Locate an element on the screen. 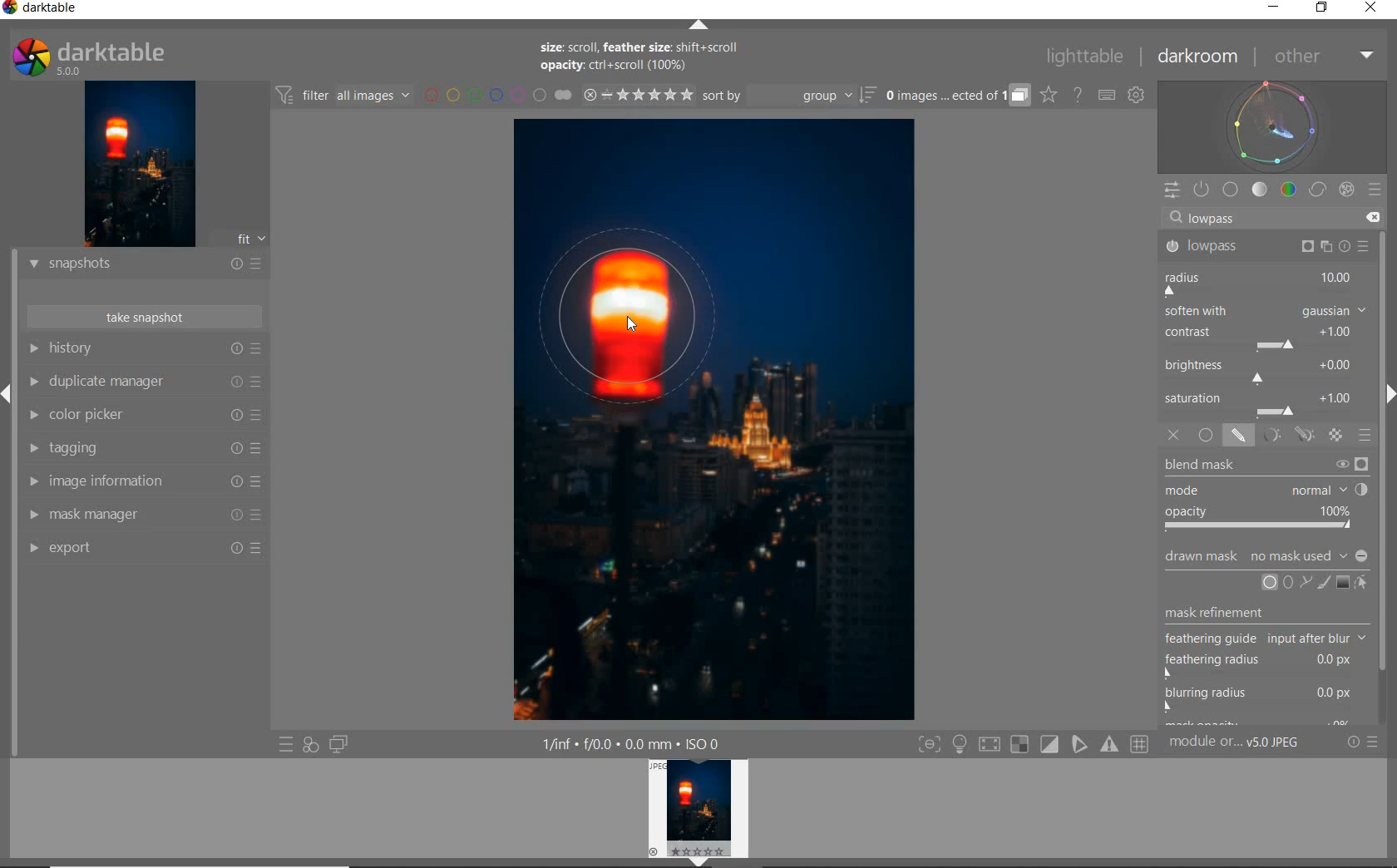  SHOW & EDIT MASK ELEMENTS is located at coordinates (1362, 584).